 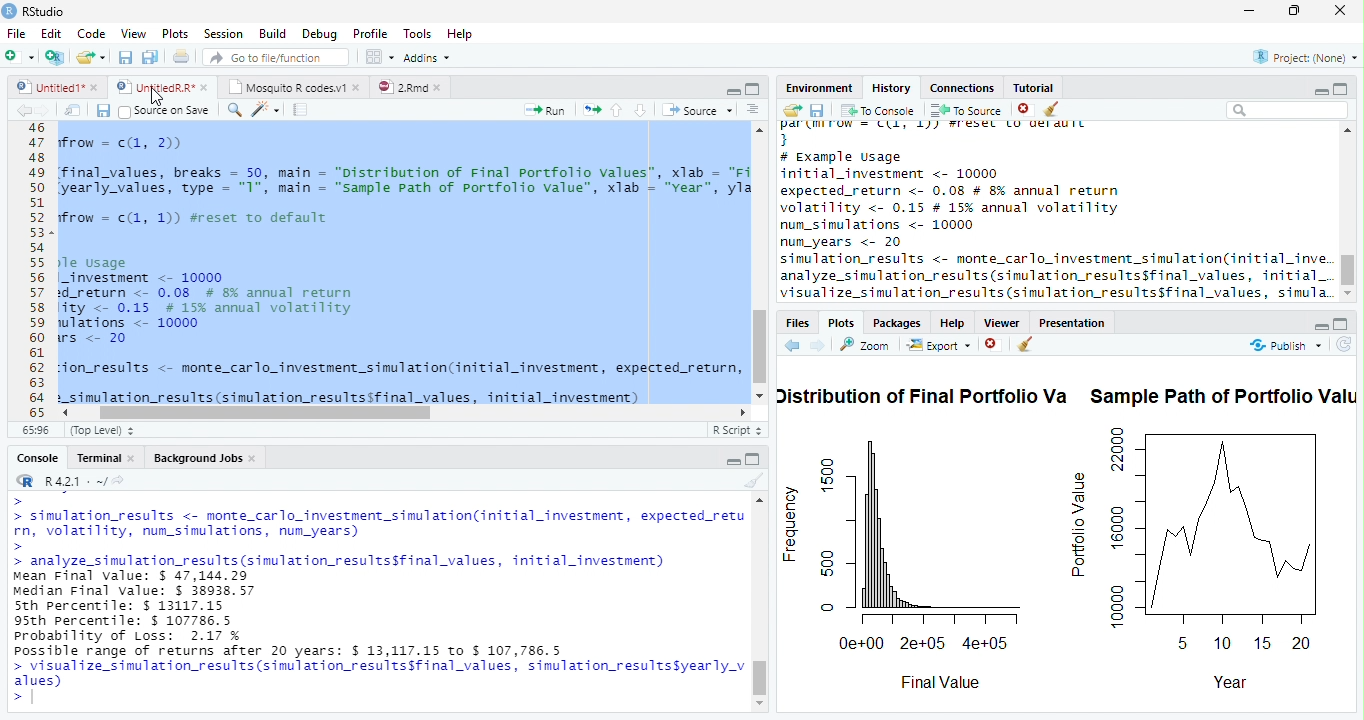 I want to click on R 4.2.1 ~/, so click(x=67, y=479).